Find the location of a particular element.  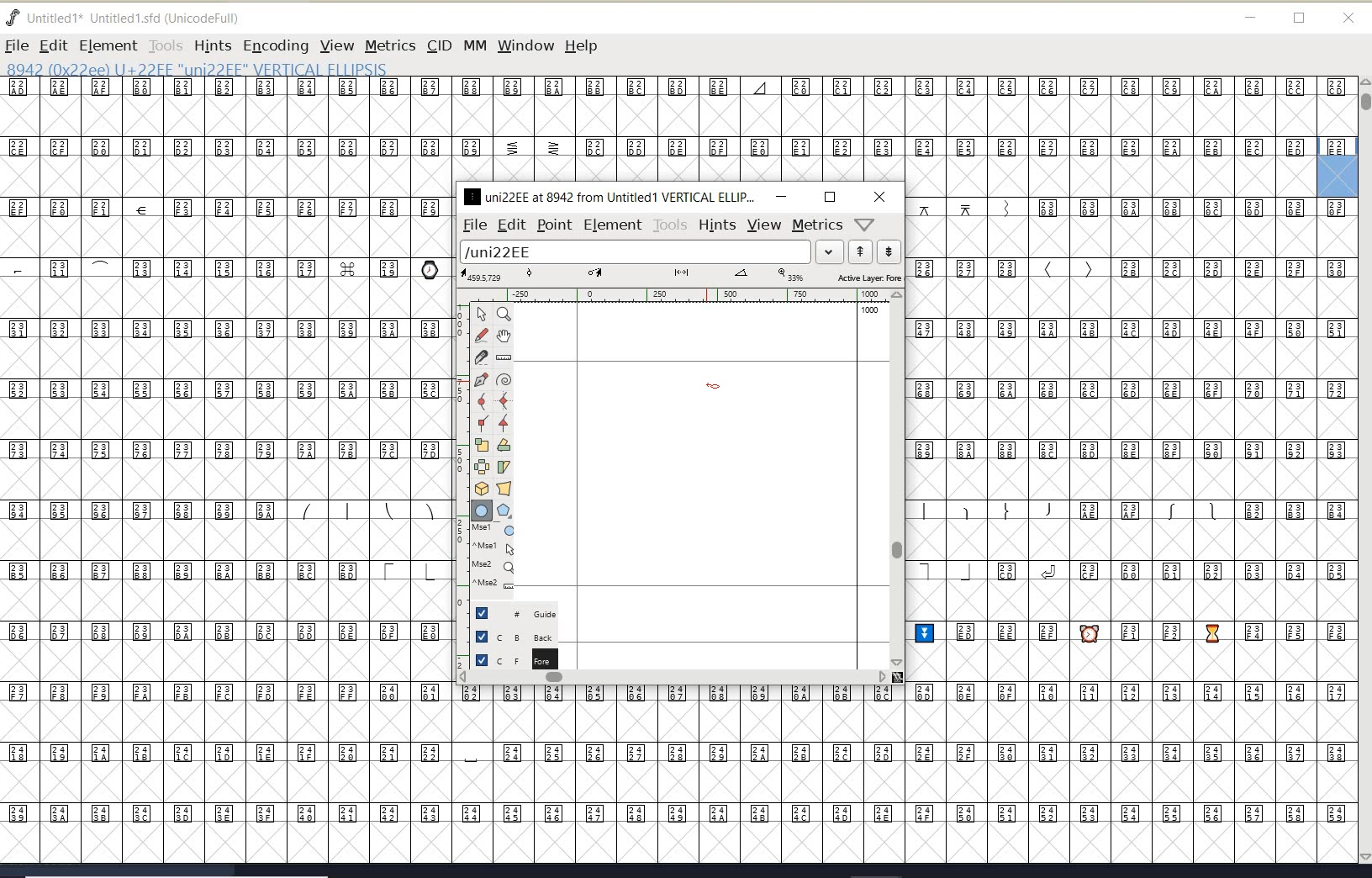

help/window is located at coordinates (865, 223).